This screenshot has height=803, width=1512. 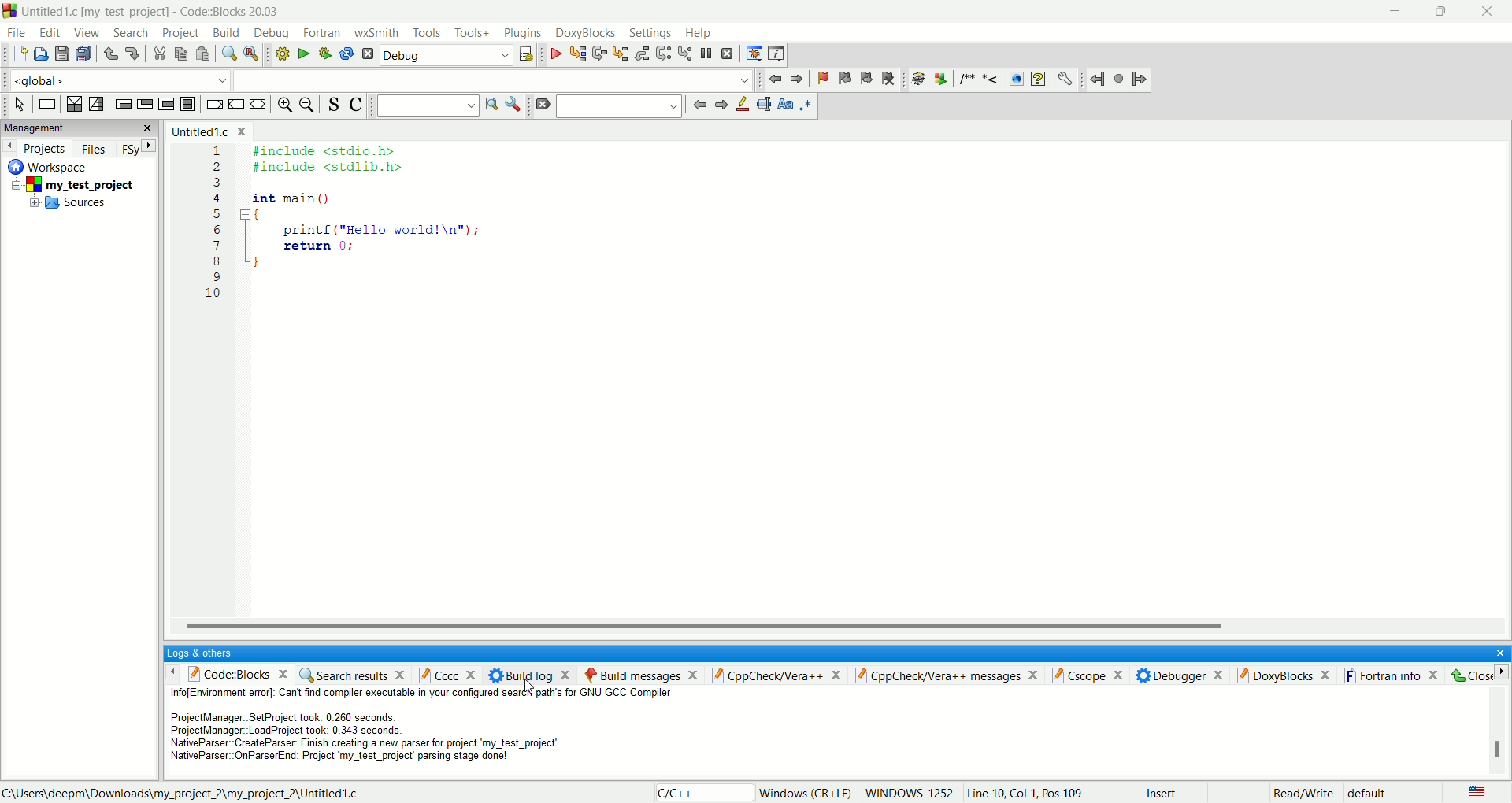 I want to click on project, so click(x=80, y=183).